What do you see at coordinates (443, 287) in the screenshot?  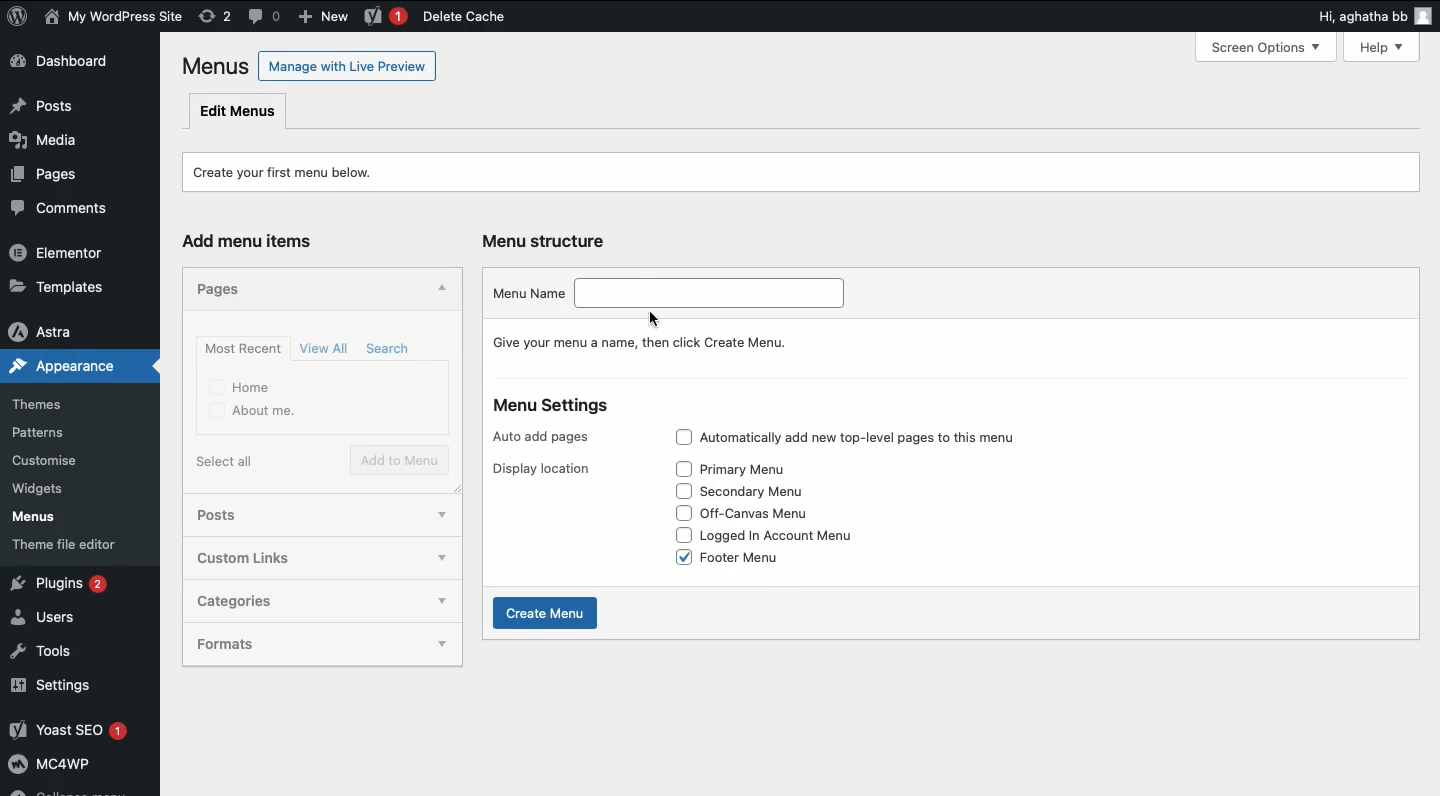 I see `Hide` at bounding box center [443, 287].